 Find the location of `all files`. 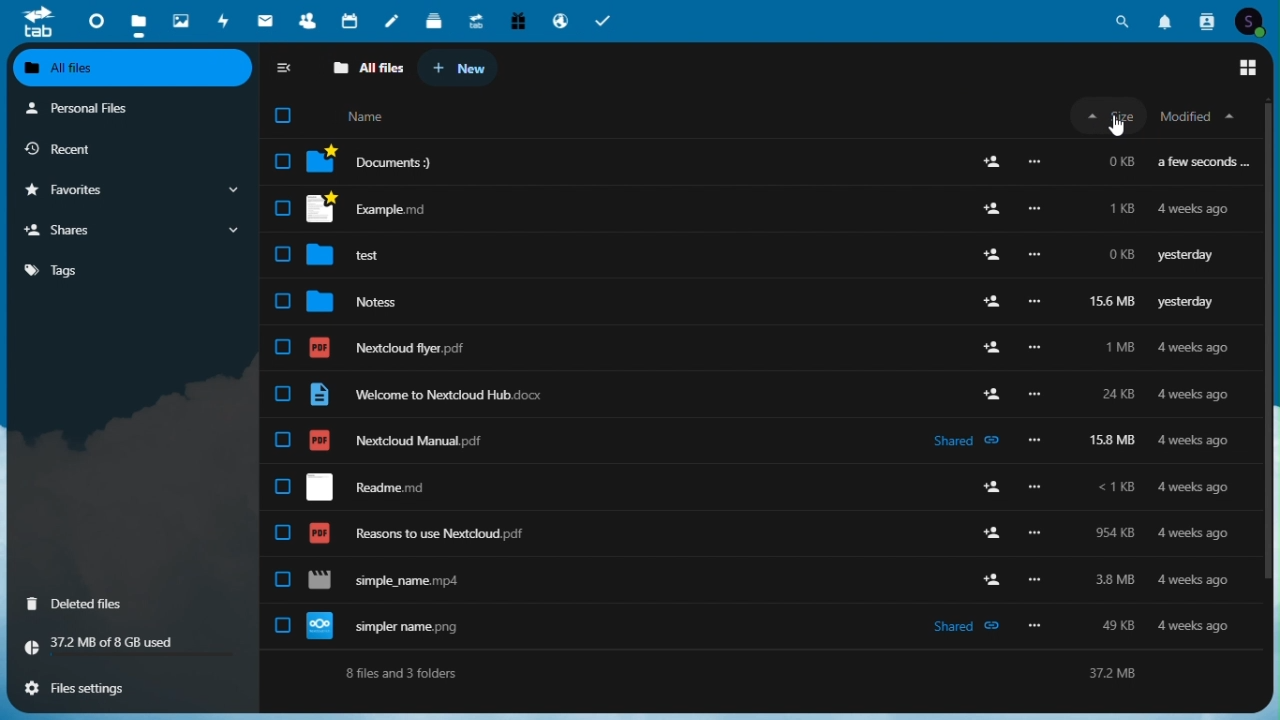

all files is located at coordinates (365, 68).